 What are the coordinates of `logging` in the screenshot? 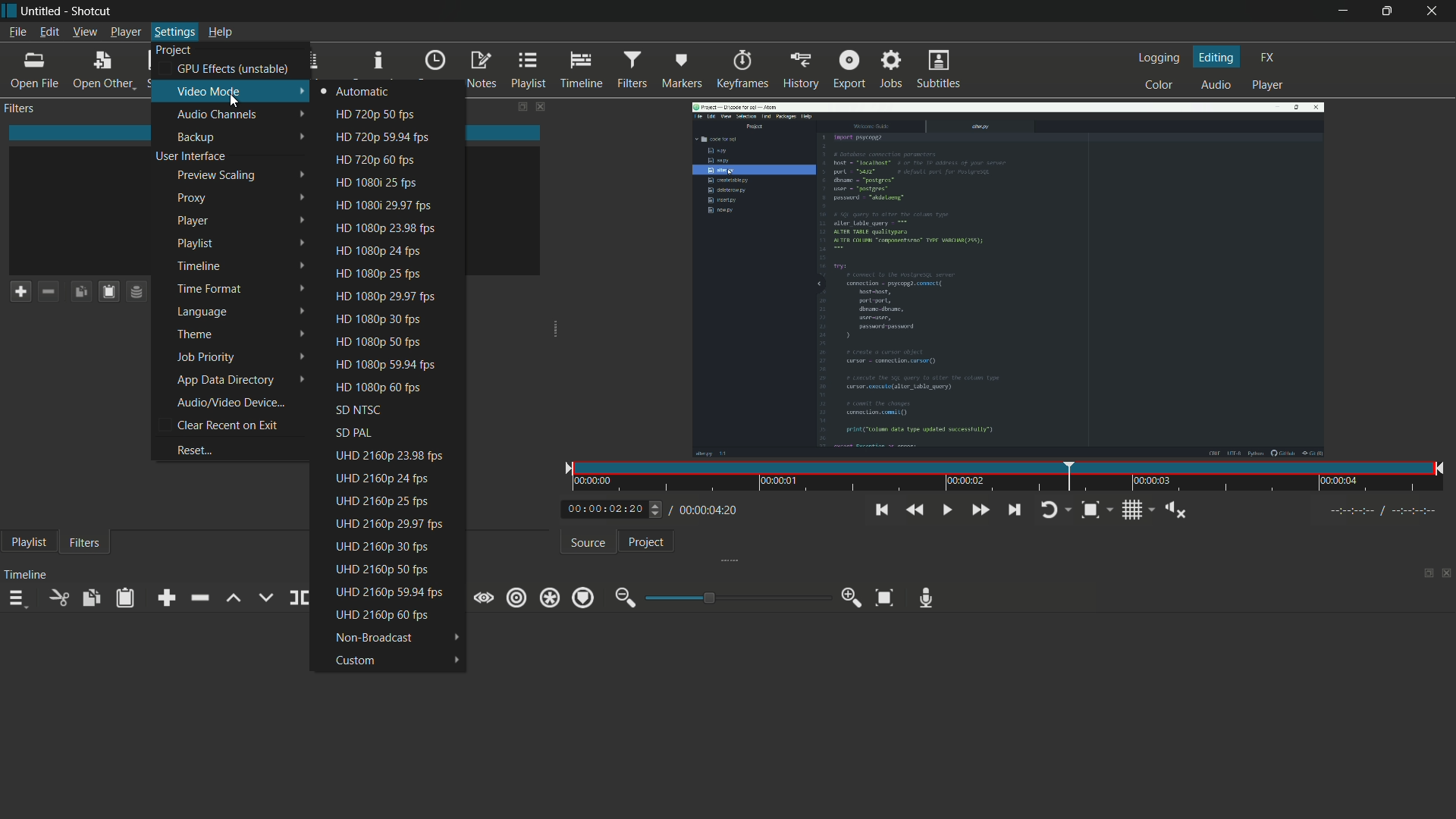 It's located at (1158, 57).